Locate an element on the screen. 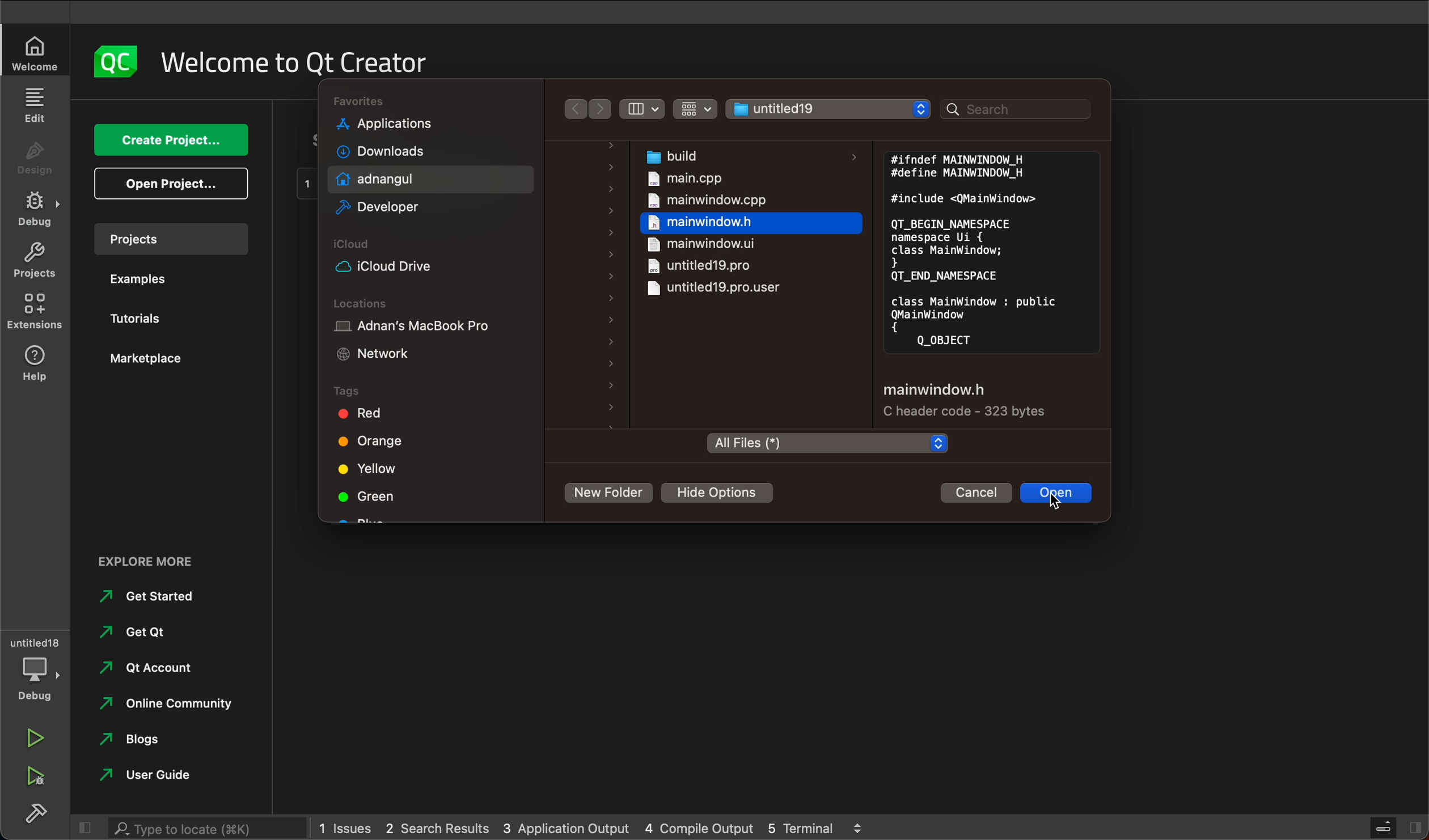  untitled19pro is located at coordinates (731, 289).